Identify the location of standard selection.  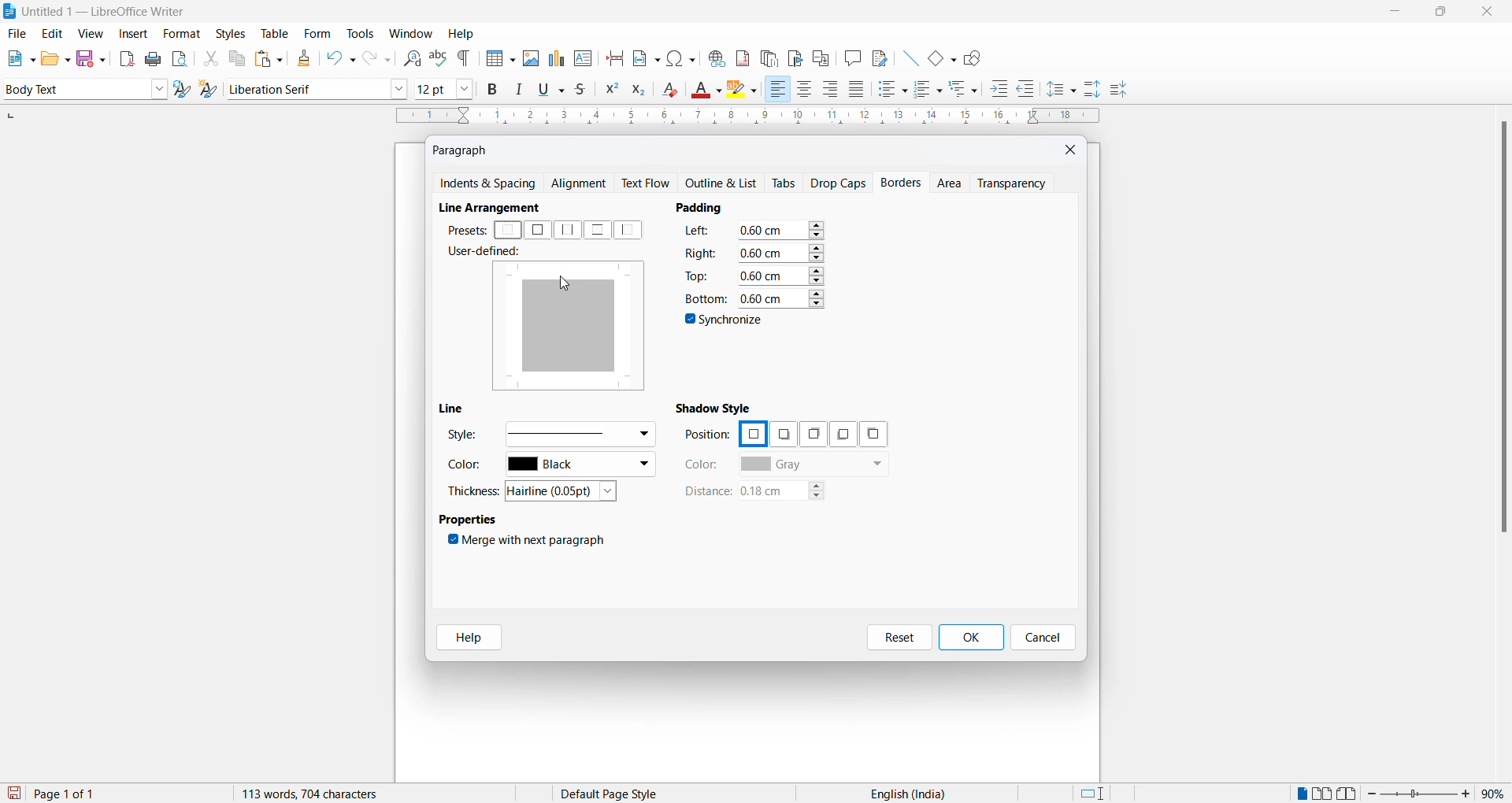
(1094, 794).